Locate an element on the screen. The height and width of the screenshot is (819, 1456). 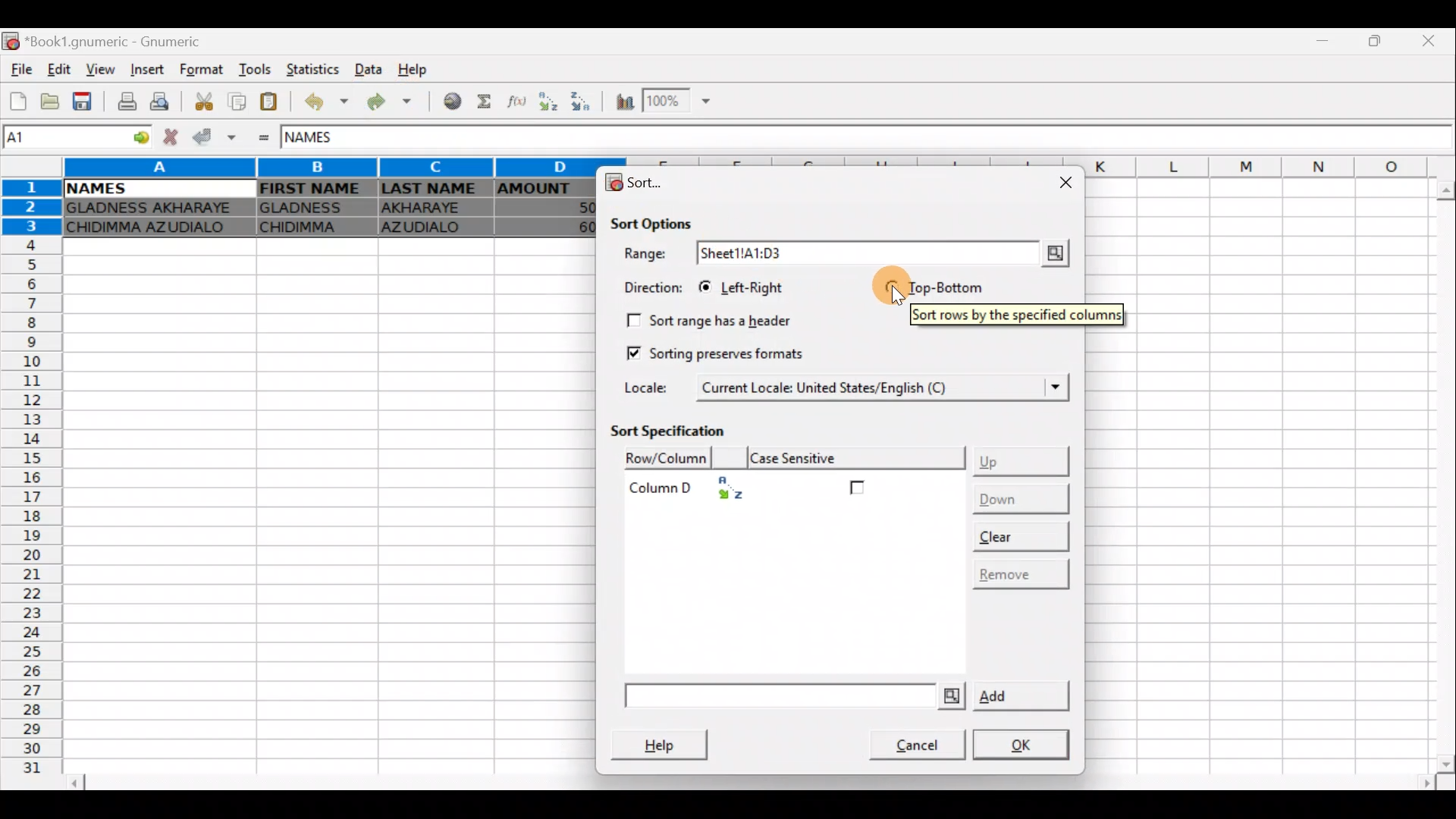
Print current file is located at coordinates (128, 99).